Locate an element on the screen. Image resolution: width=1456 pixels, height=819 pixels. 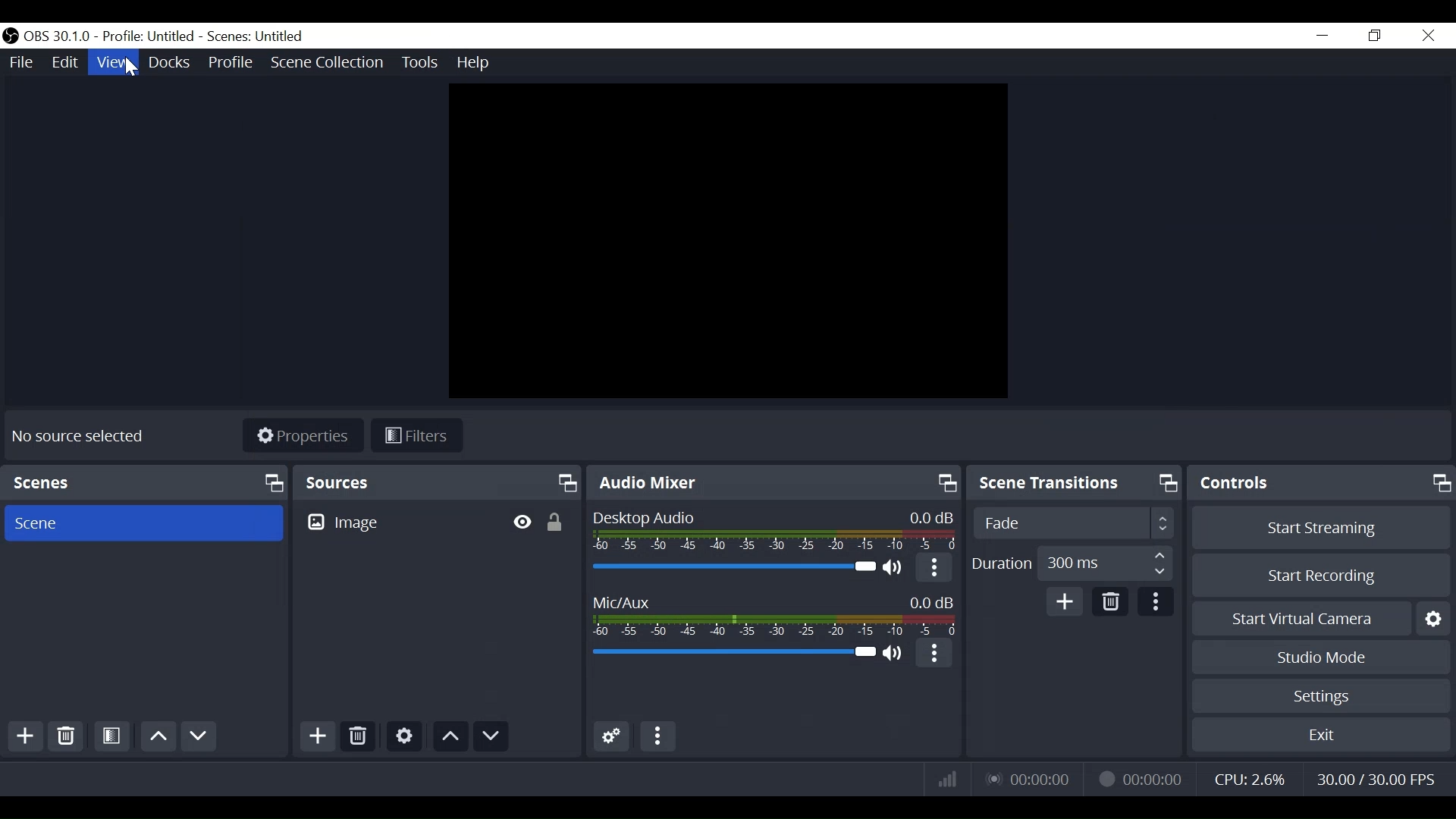
Cursor is located at coordinates (131, 67).